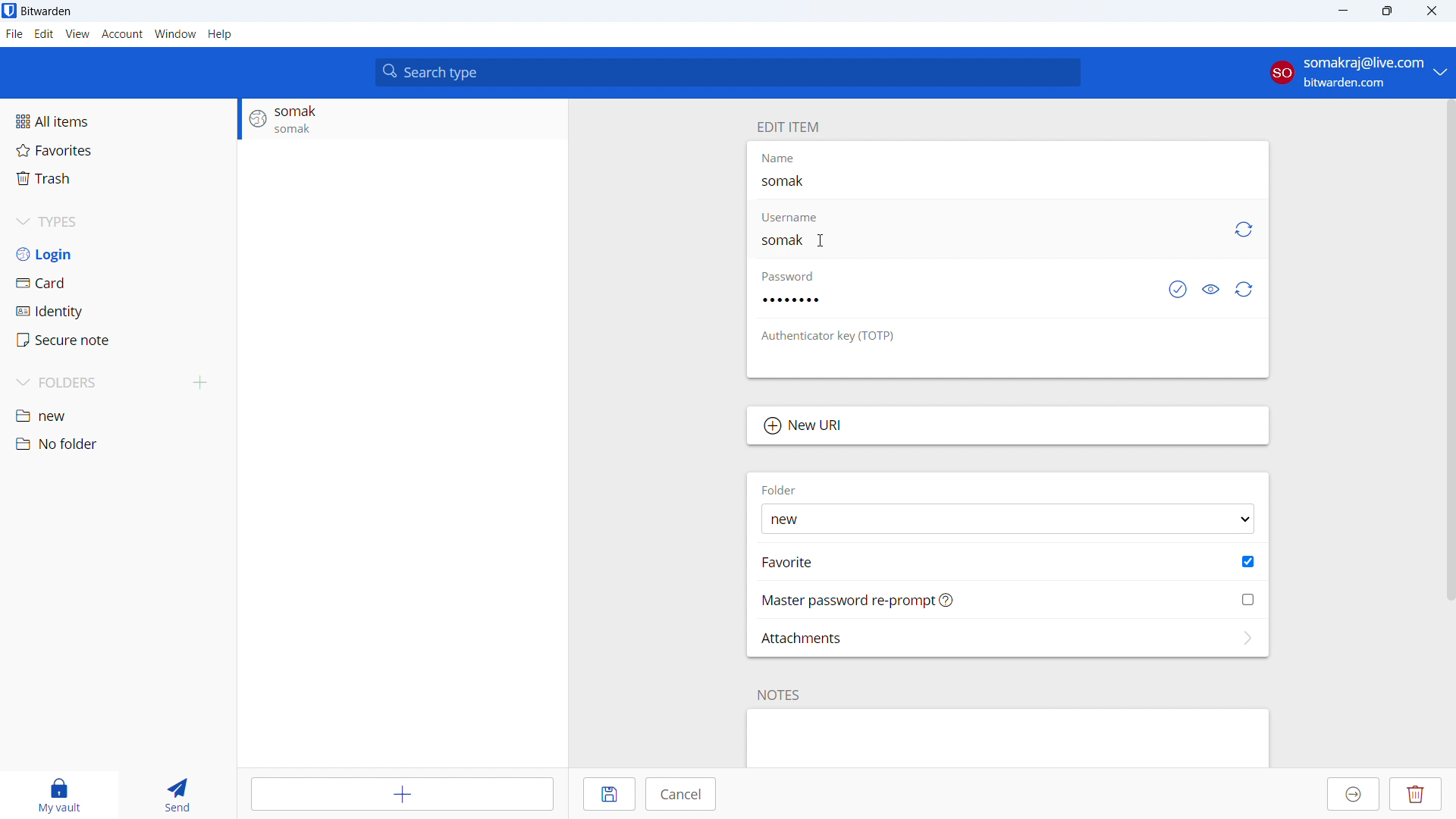  I want to click on cancel, so click(682, 795).